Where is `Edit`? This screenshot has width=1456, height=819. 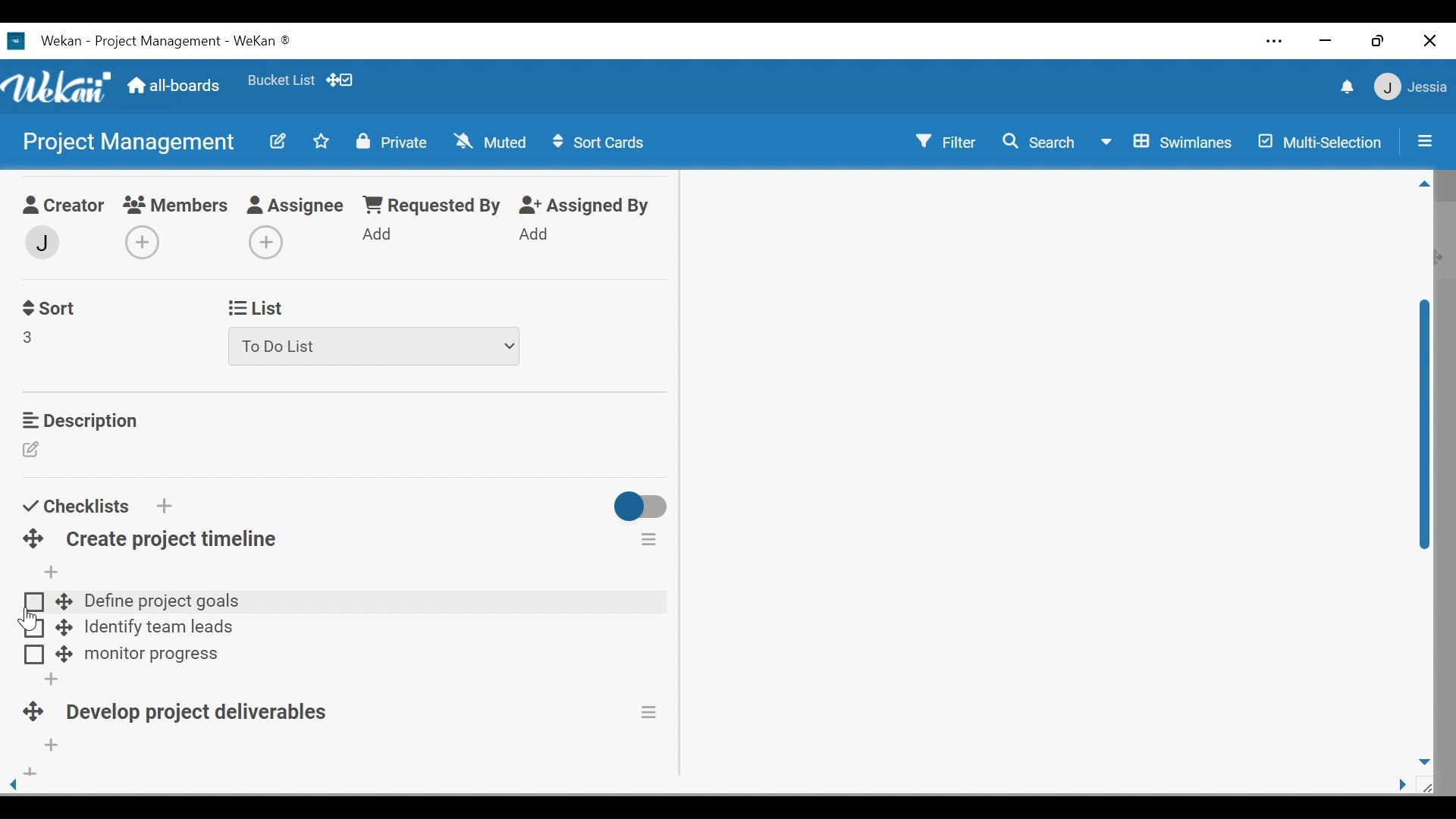
Edit is located at coordinates (280, 143).